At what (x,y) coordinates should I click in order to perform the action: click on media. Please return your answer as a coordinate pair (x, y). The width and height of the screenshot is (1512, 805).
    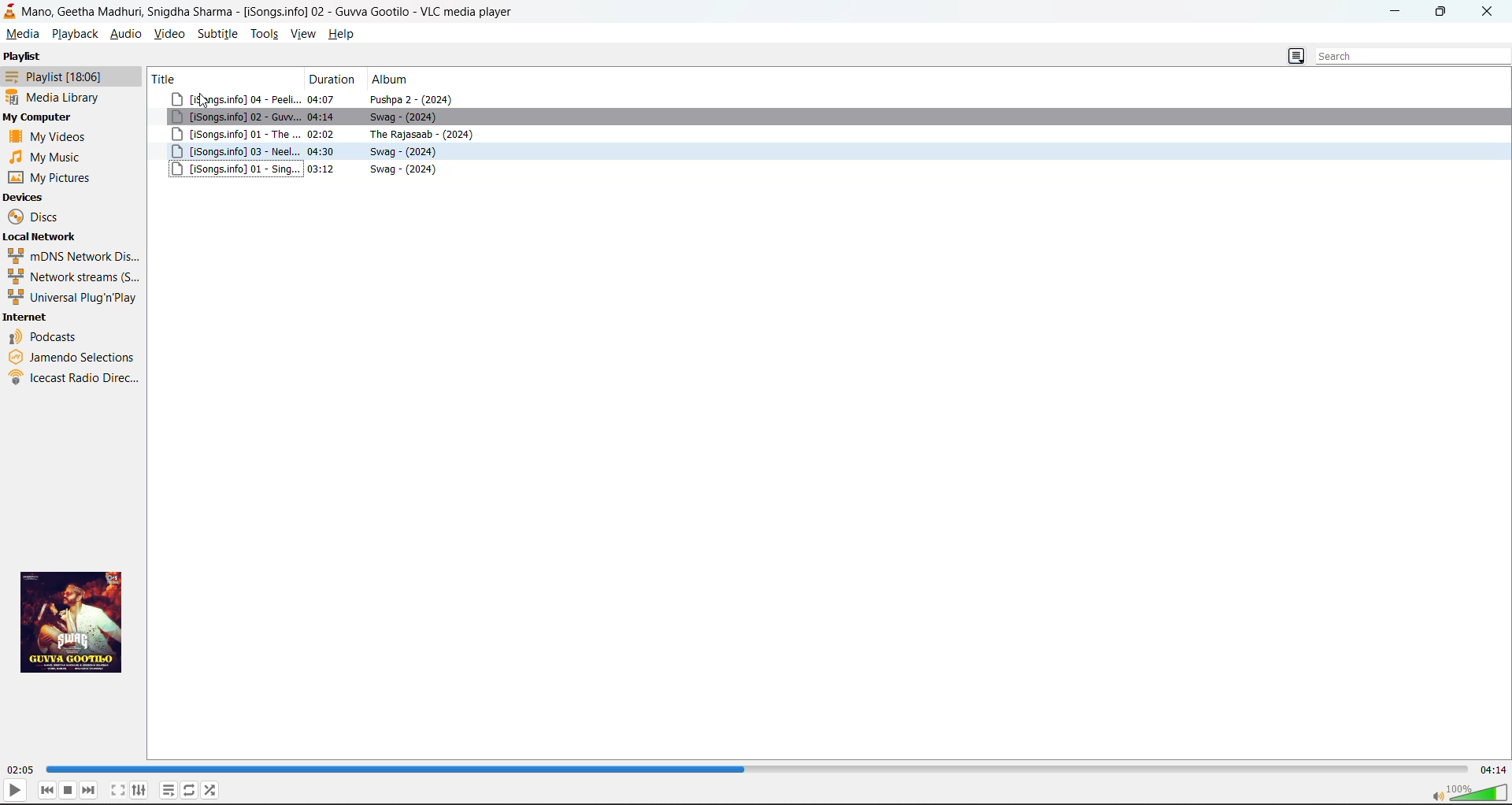
    Looking at the image, I should click on (22, 33).